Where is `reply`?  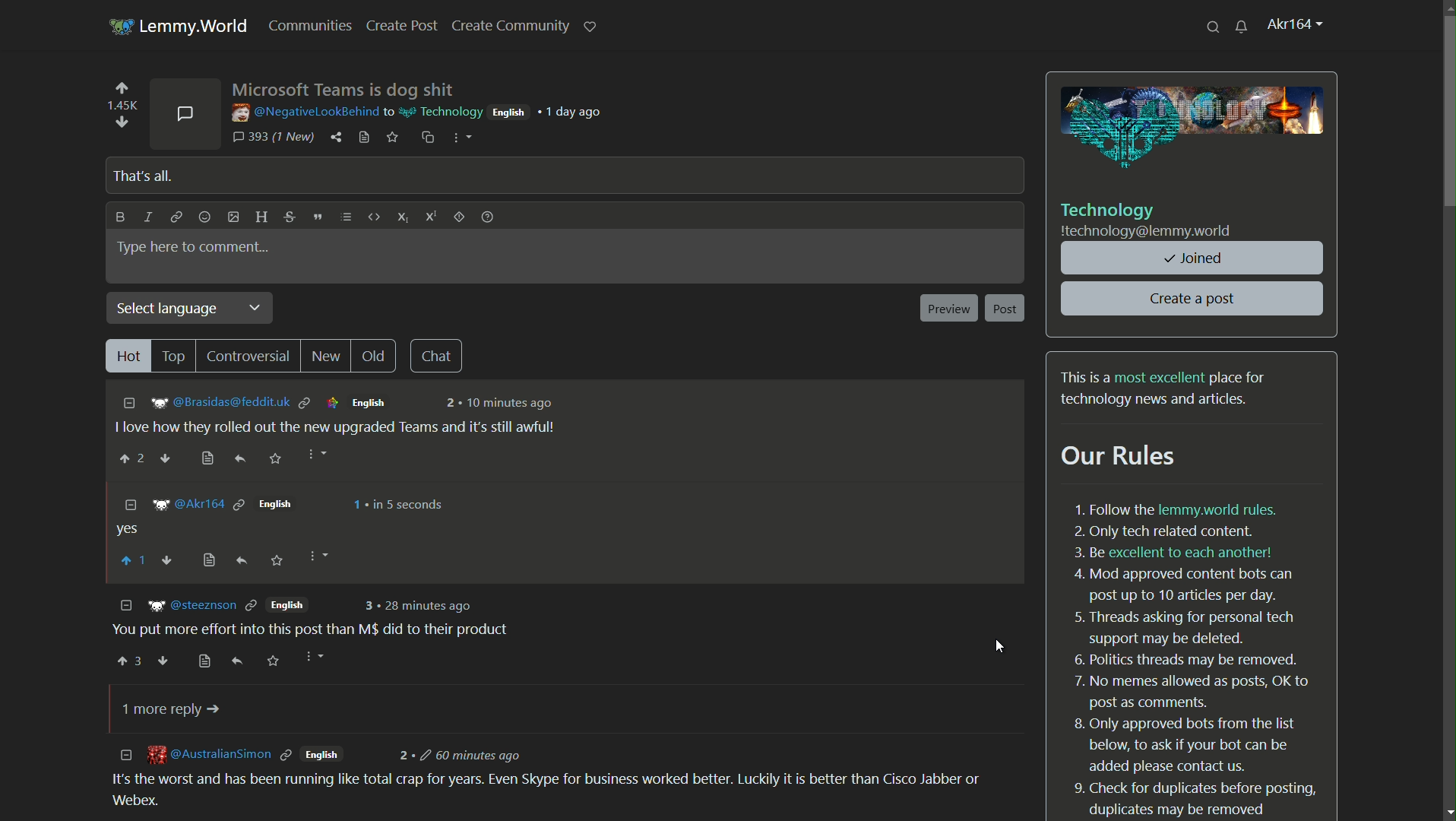
reply is located at coordinates (237, 661).